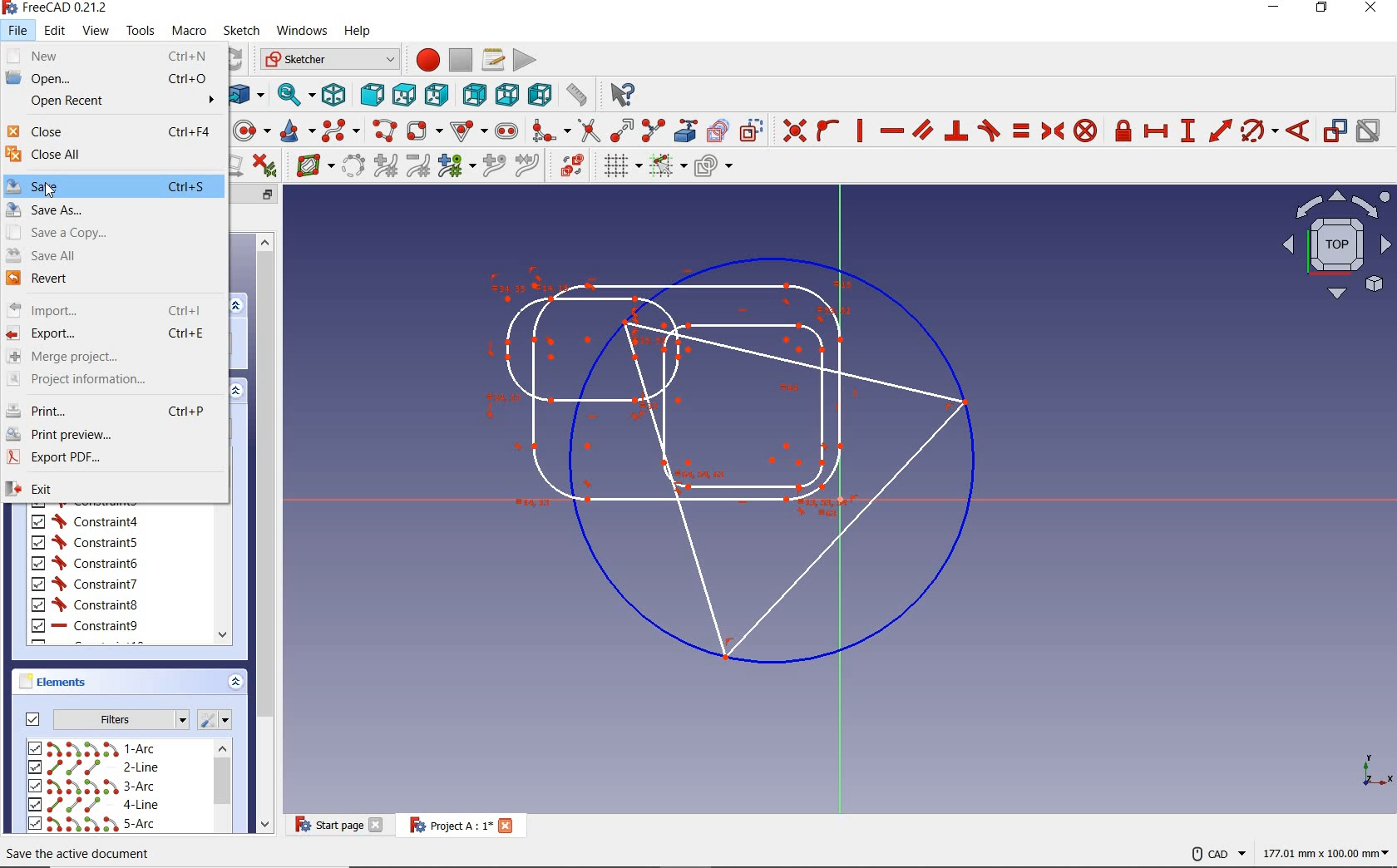 The image size is (1397, 868). Describe the element at coordinates (96, 805) in the screenshot. I see `4-line` at that location.